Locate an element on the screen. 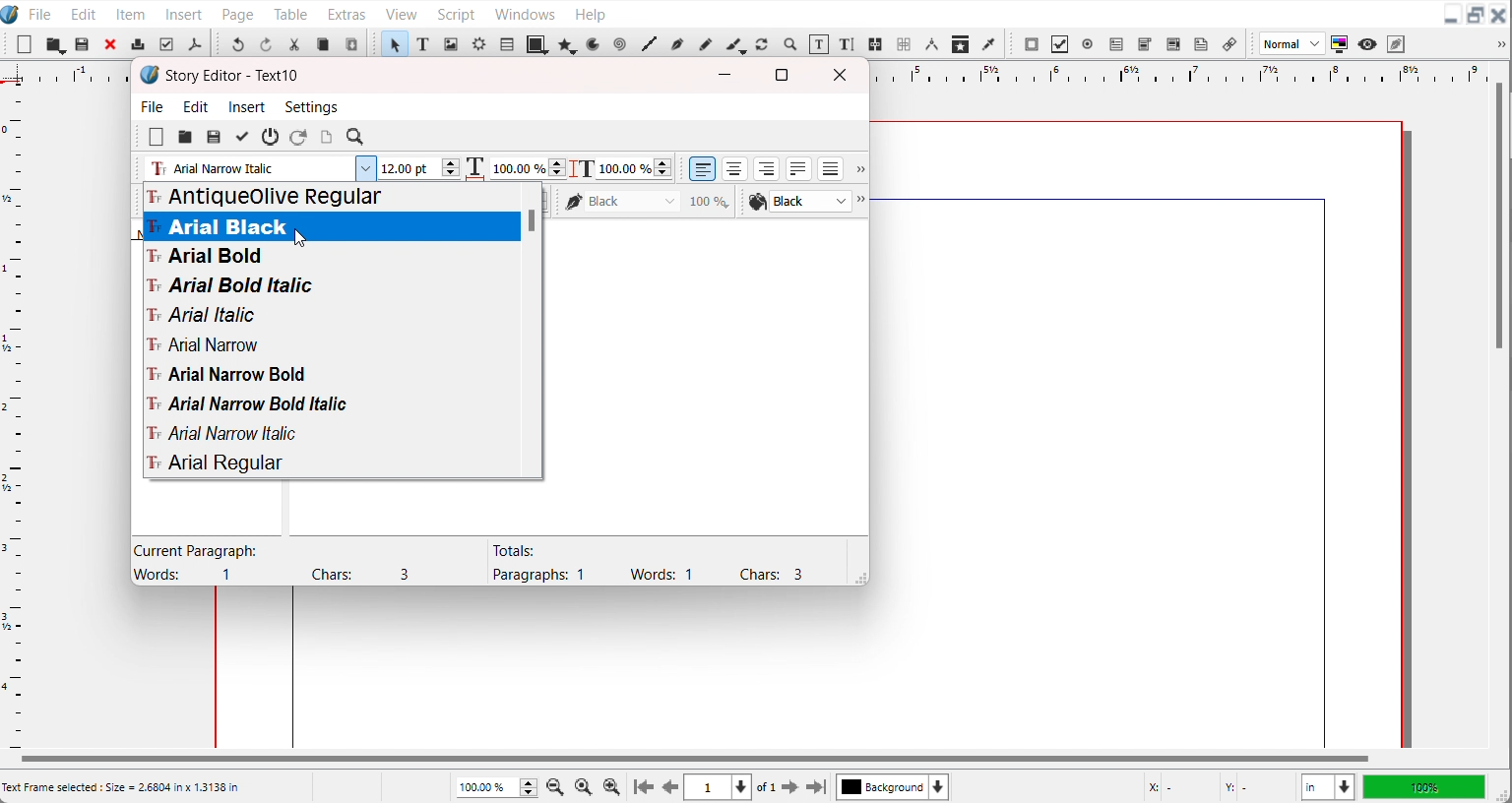  Calligraphic line is located at coordinates (735, 45).